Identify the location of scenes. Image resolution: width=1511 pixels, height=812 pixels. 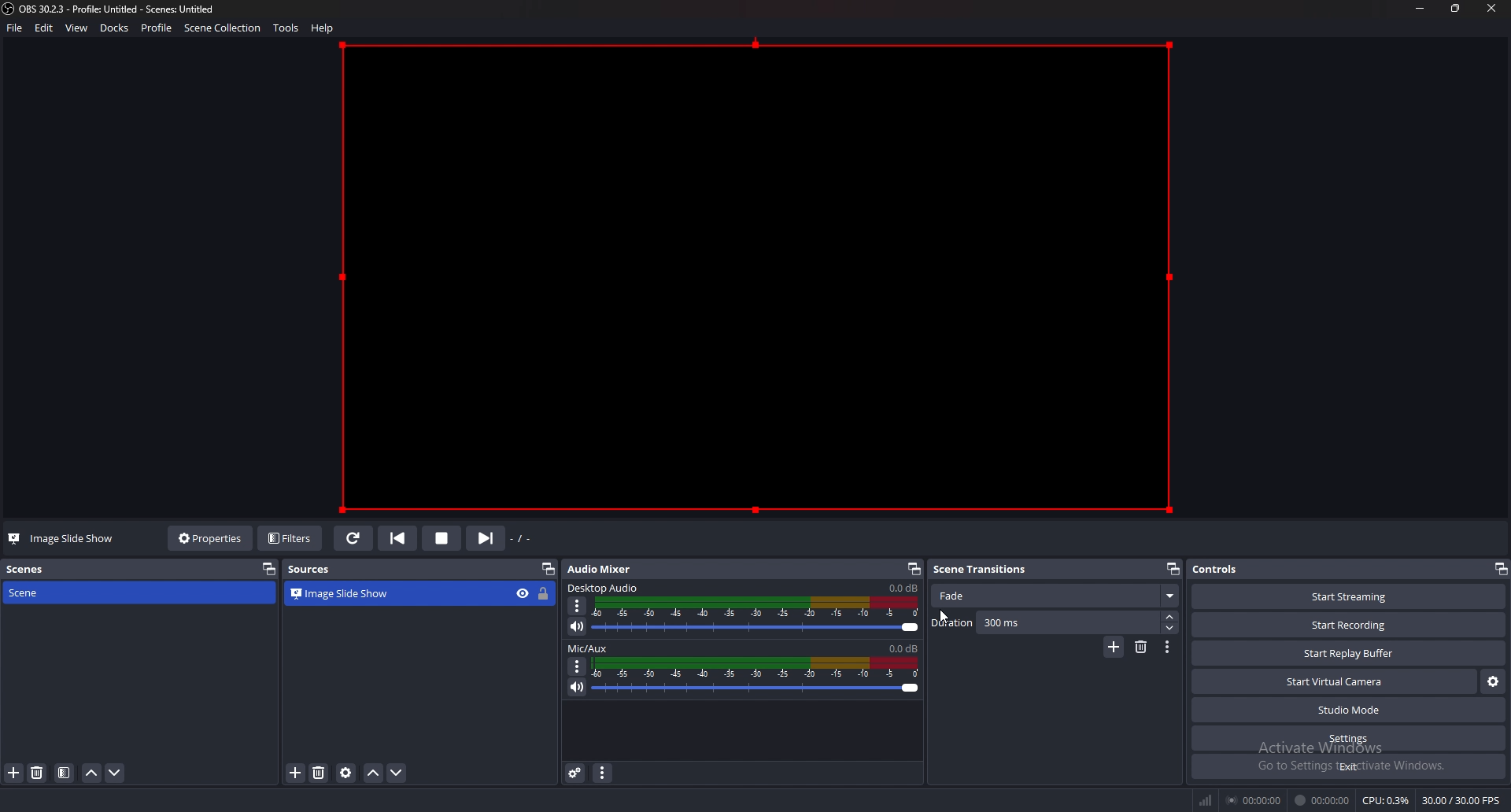
(27, 570).